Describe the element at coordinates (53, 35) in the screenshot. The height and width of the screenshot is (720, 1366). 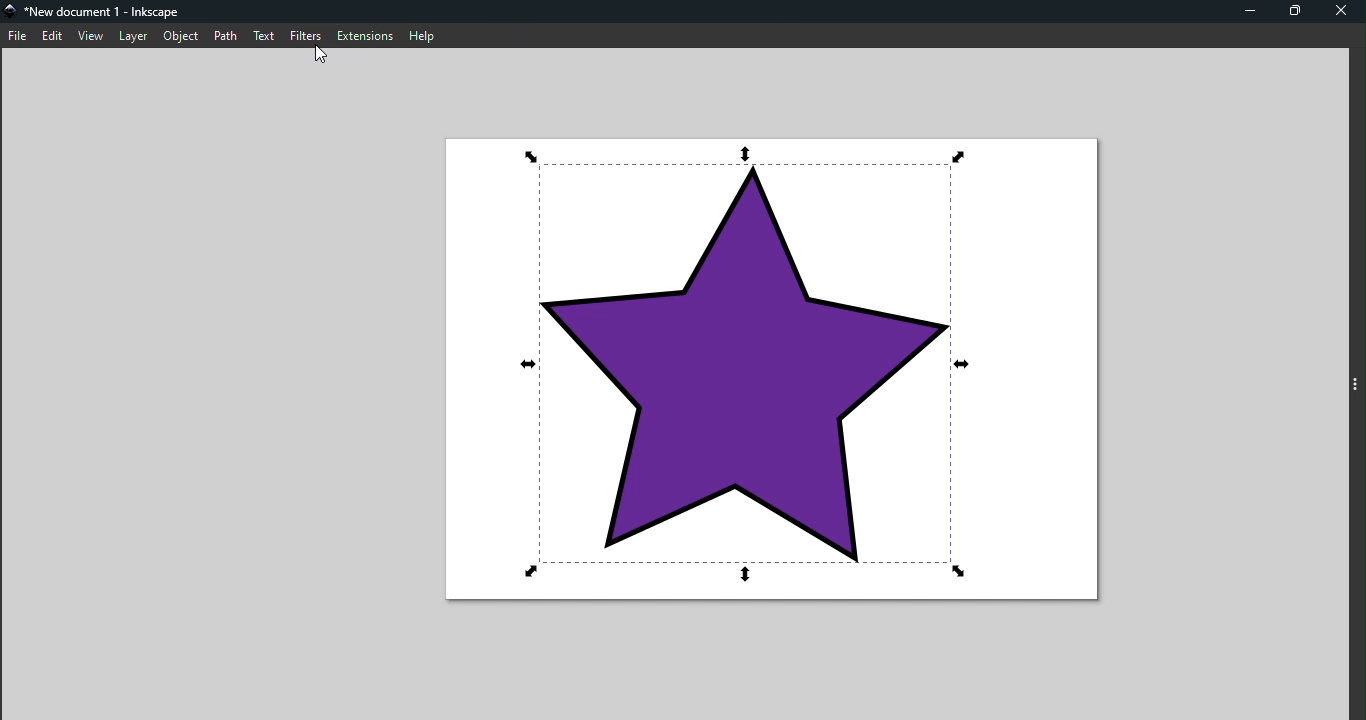
I see `Edit` at that location.